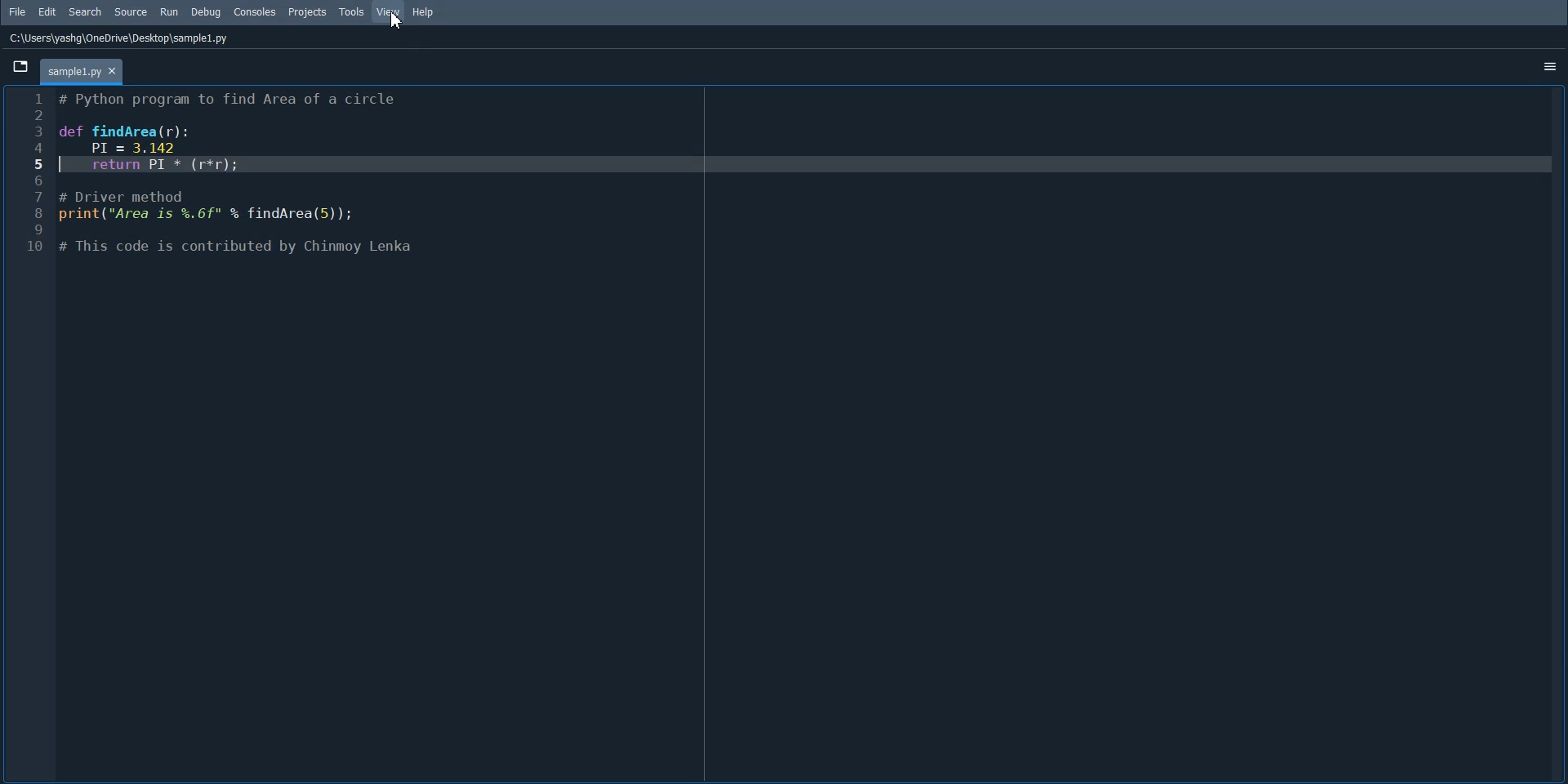  Describe the element at coordinates (424, 13) in the screenshot. I see `Help` at that location.